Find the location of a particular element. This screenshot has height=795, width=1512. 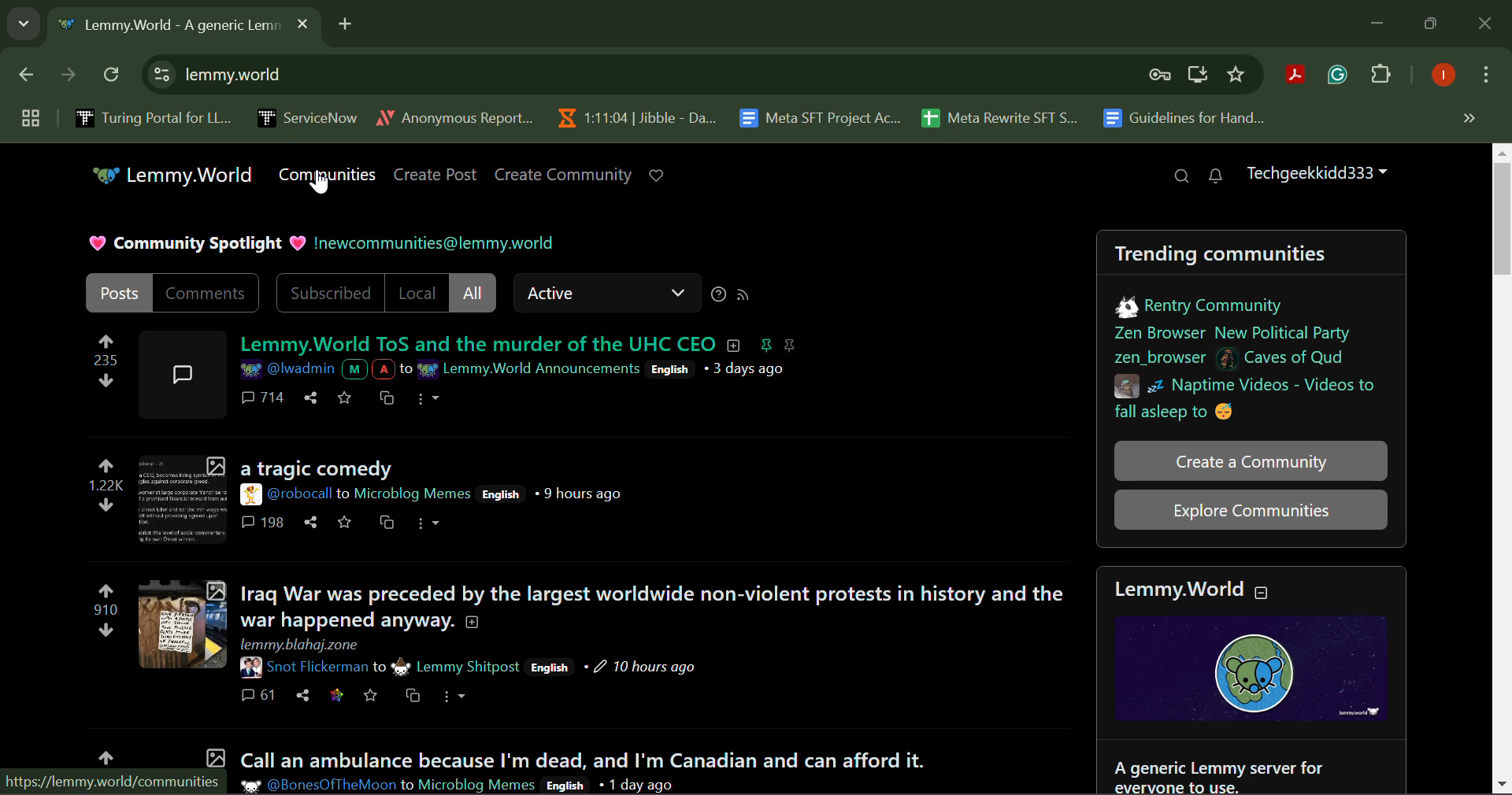

Browser Extension is located at coordinates (1299, 76).